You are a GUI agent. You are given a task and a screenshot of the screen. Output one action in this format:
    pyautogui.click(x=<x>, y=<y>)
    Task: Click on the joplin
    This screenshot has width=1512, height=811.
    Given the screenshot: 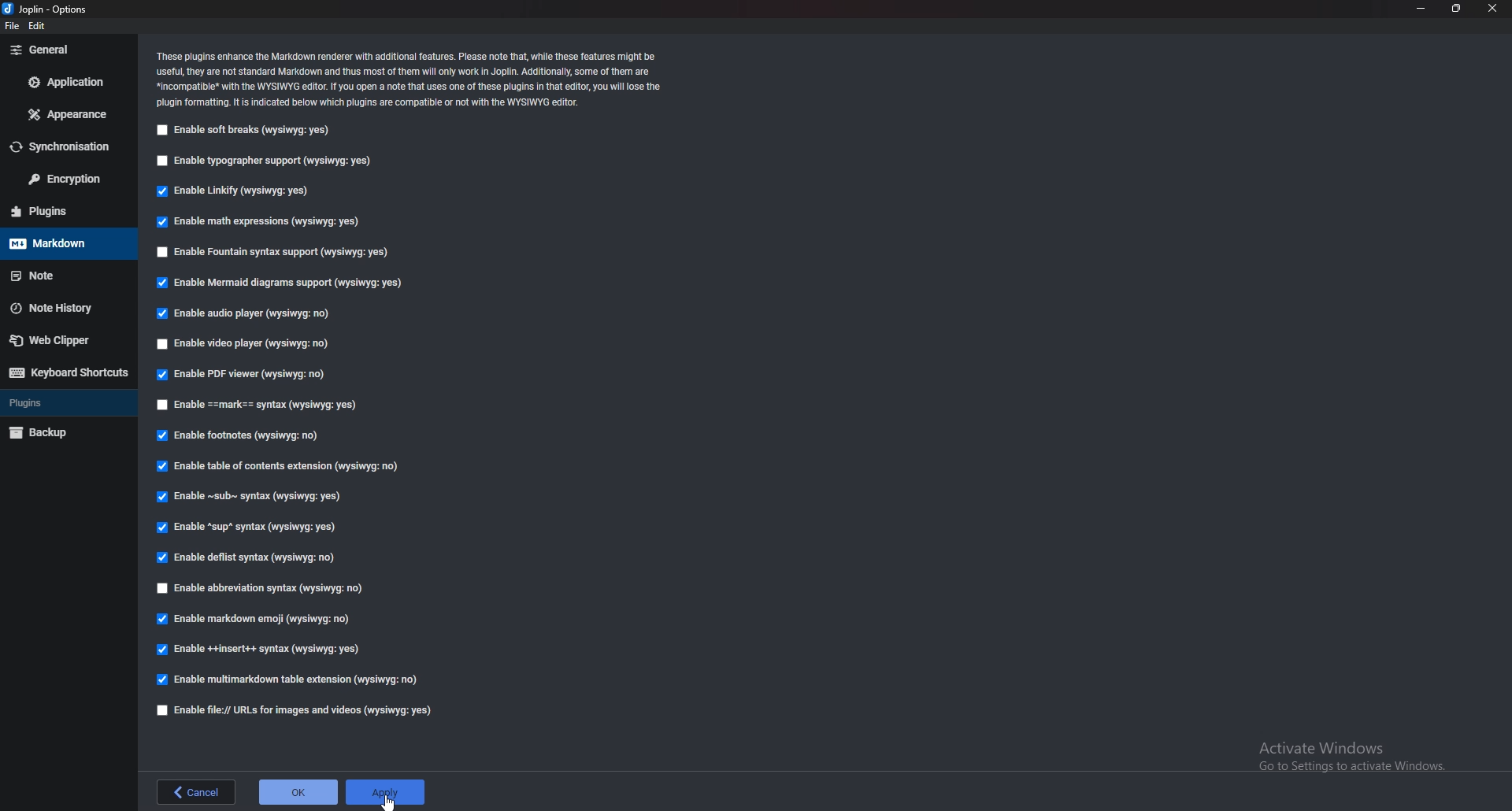 What is the action you would take?
    pyautogui.click(x=49, y=9)
    